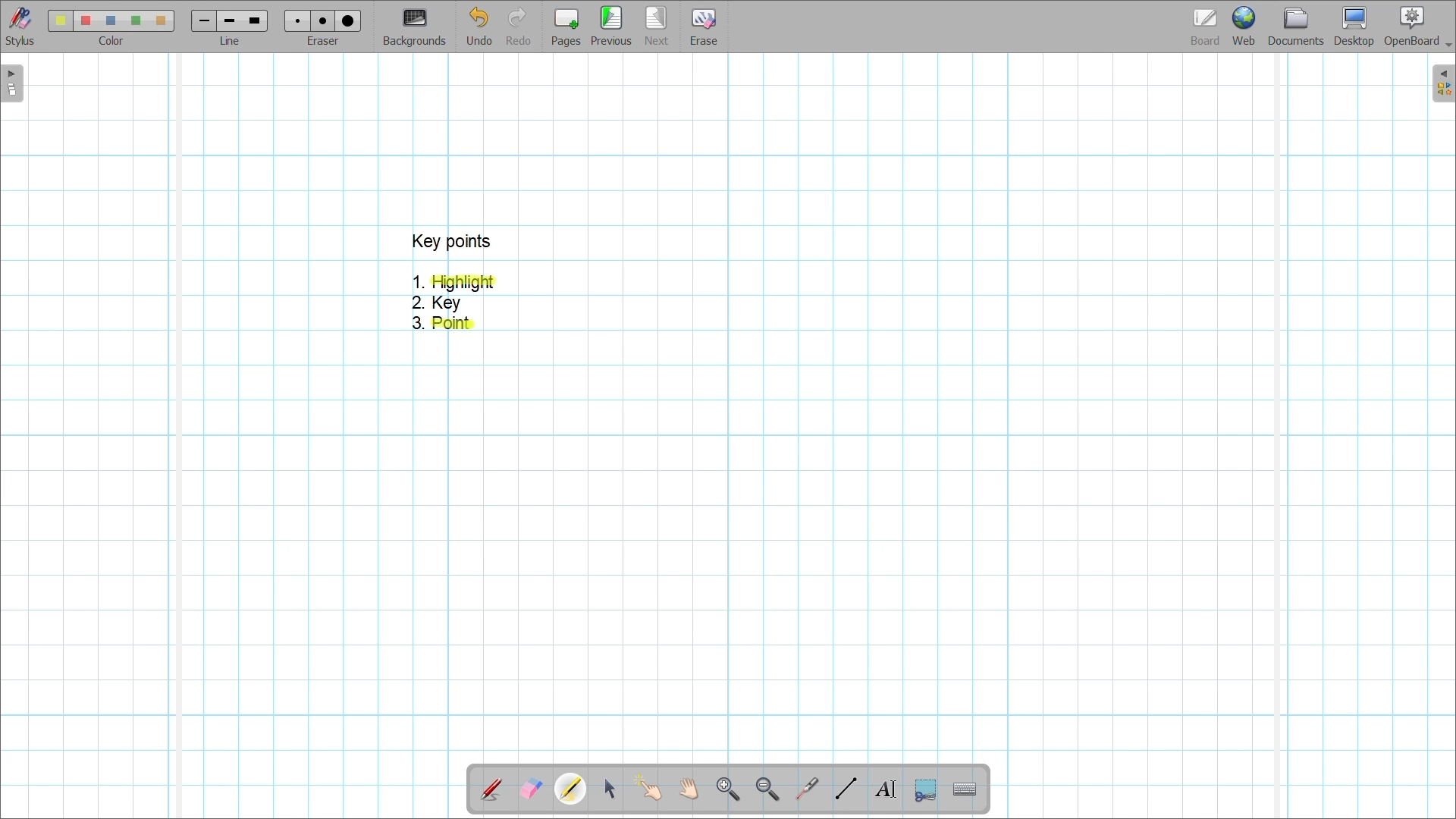  I want to click on Right sidebar, so click(1443, 83).